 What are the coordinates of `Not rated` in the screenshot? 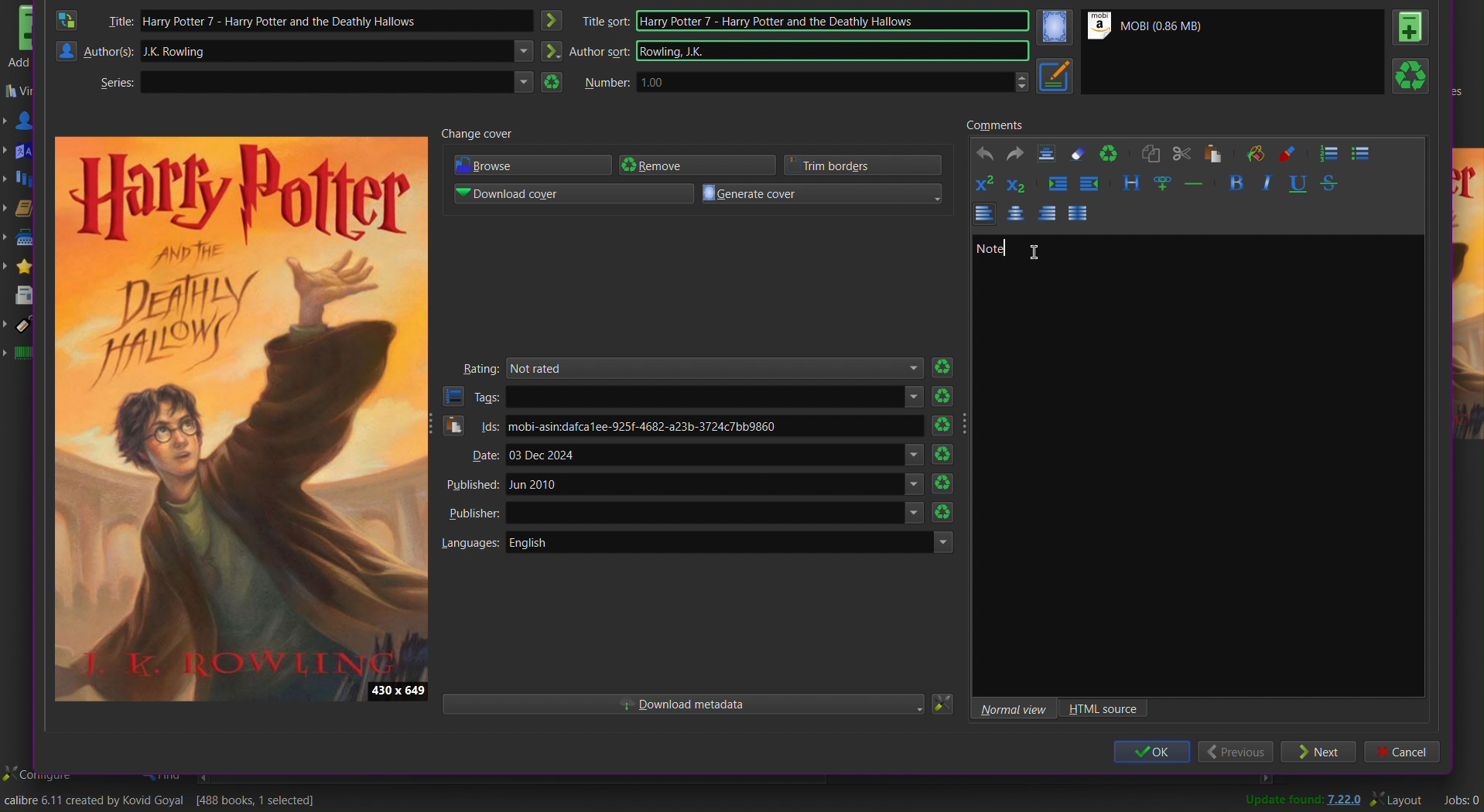 It's located at (718, 367).